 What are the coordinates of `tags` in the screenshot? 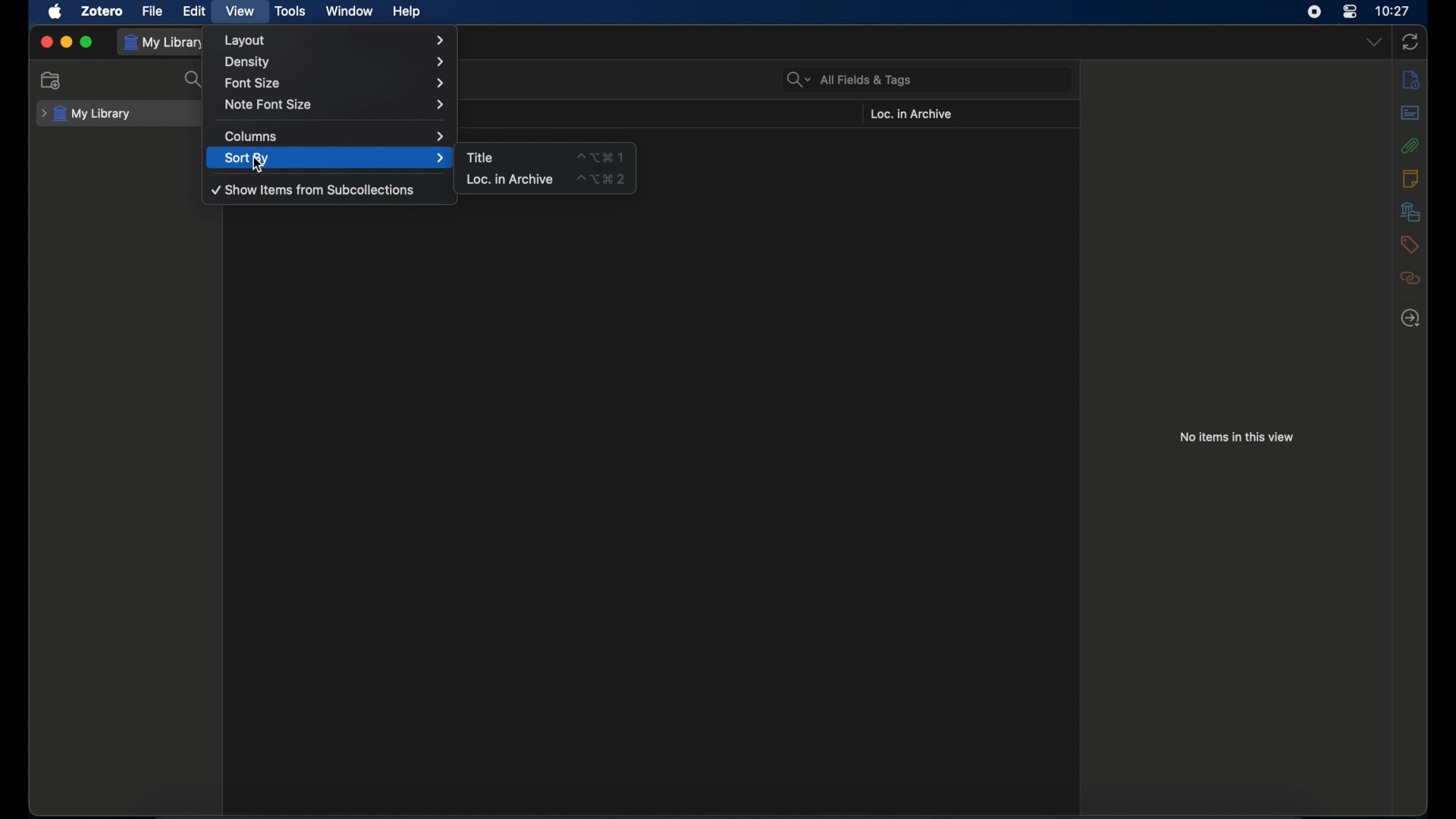 It's located at (1407, 245).